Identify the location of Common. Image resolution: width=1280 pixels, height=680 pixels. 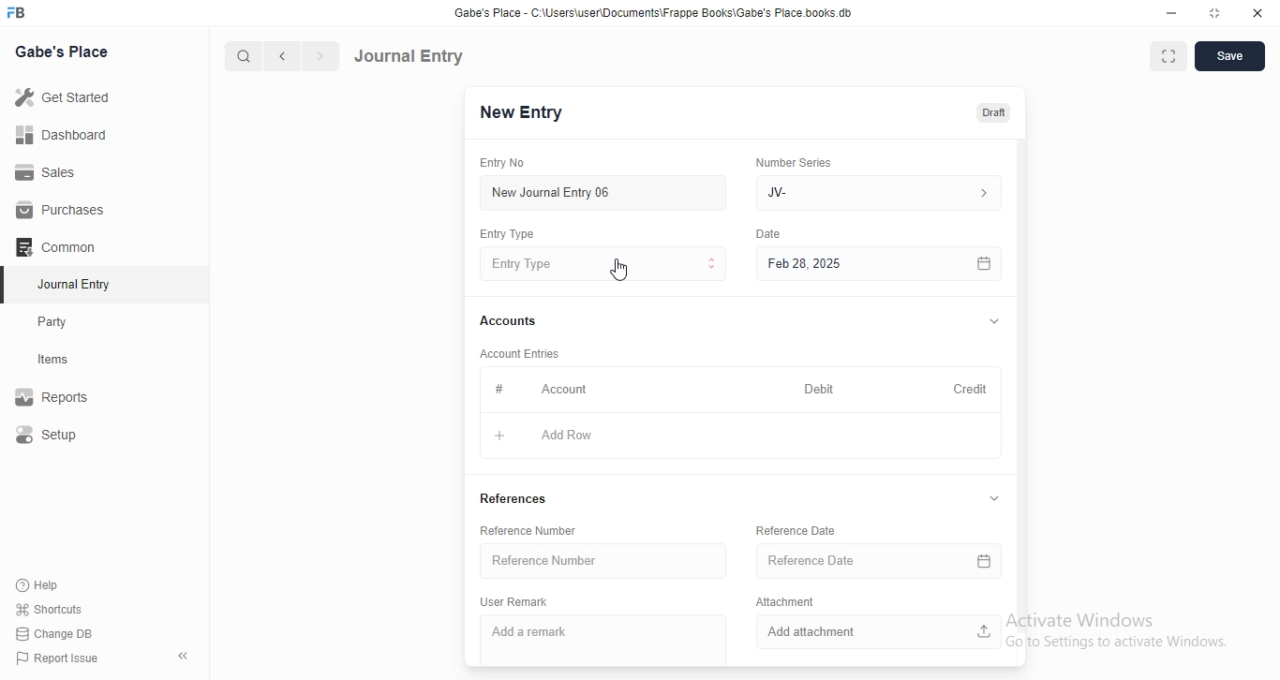
(61, 247).